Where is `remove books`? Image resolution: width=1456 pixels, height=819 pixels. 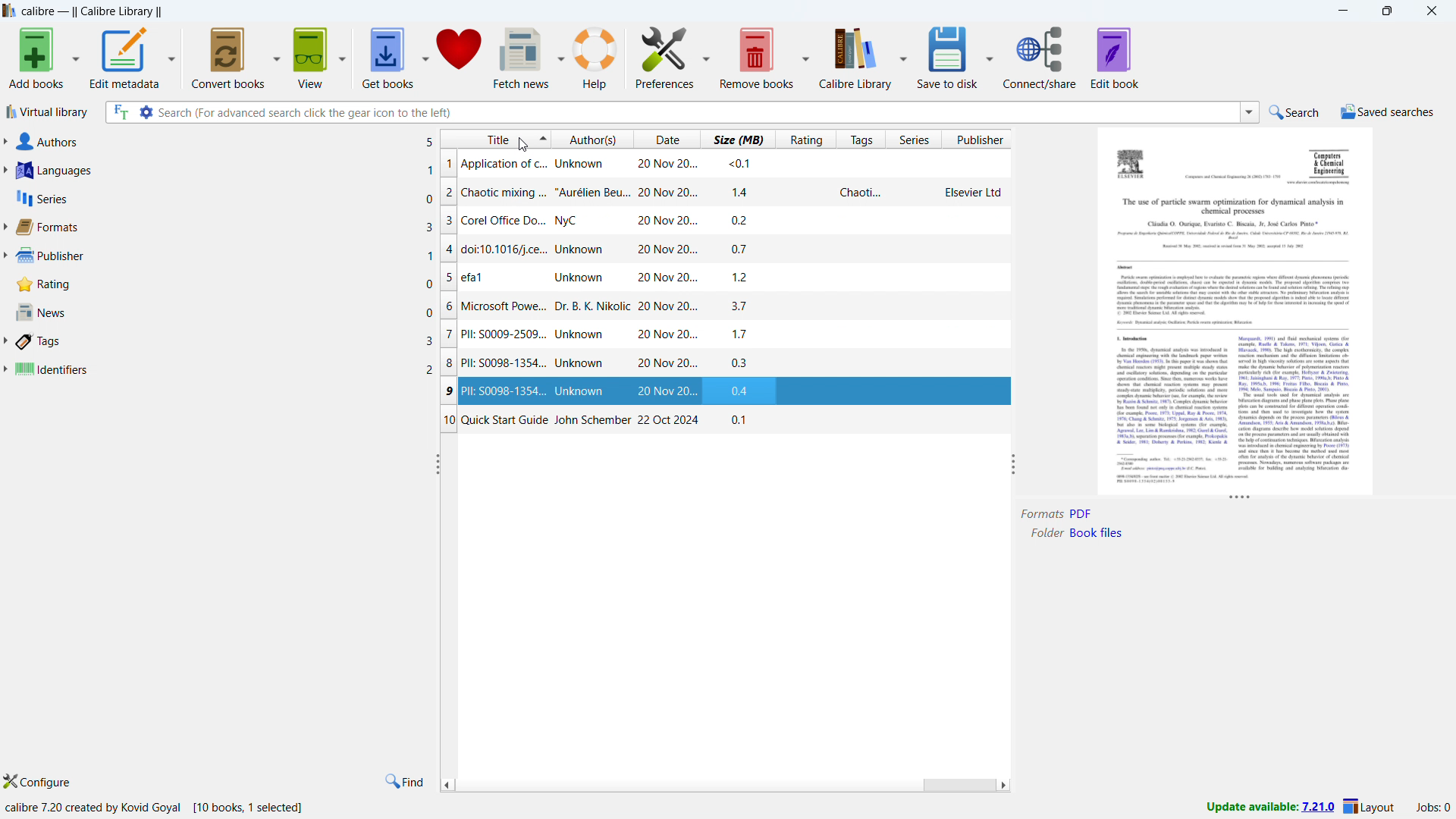 remove books is located at coordinates (757, 57).